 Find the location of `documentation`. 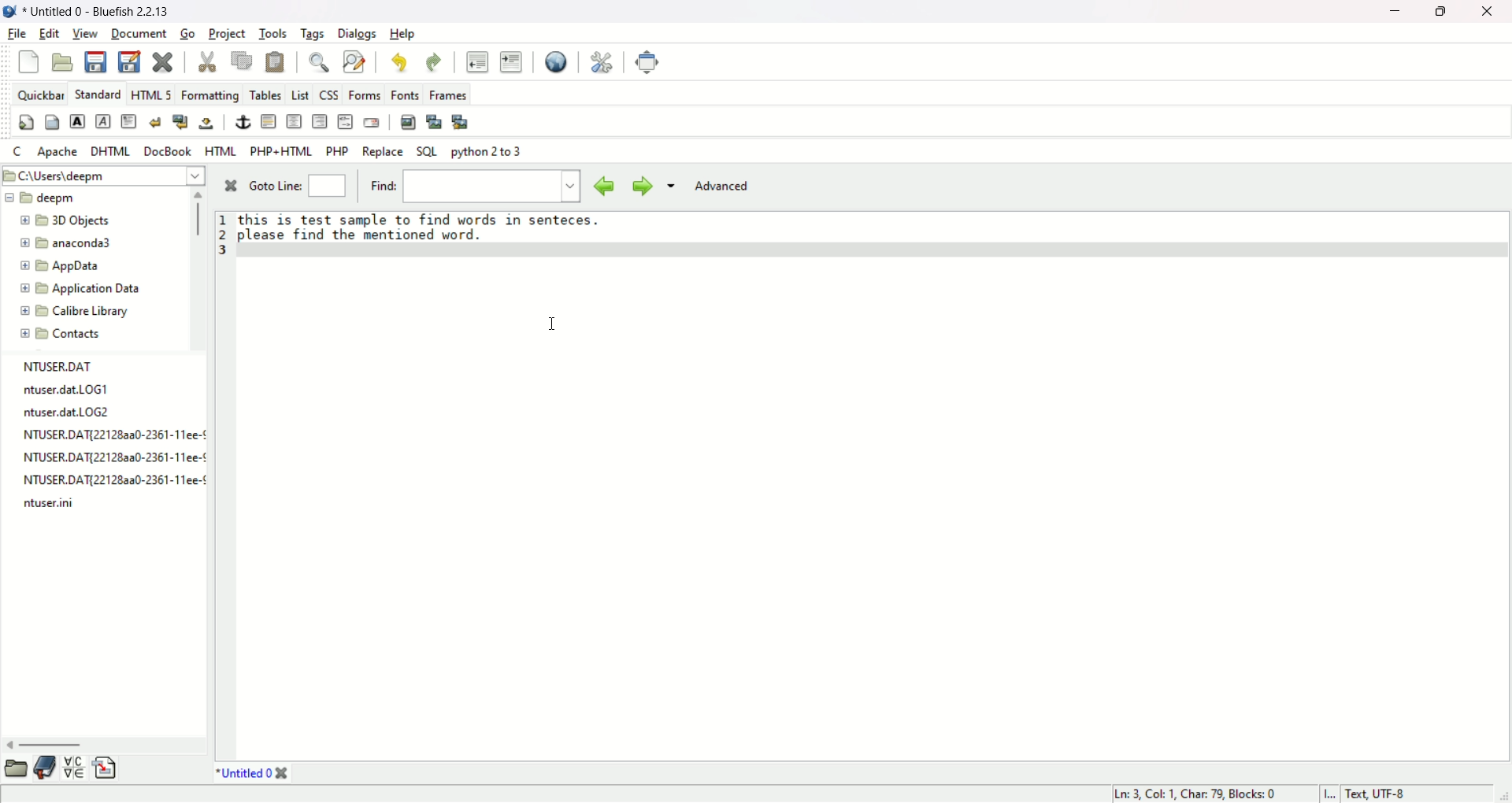

documentation is located at coordinates (45, 768).